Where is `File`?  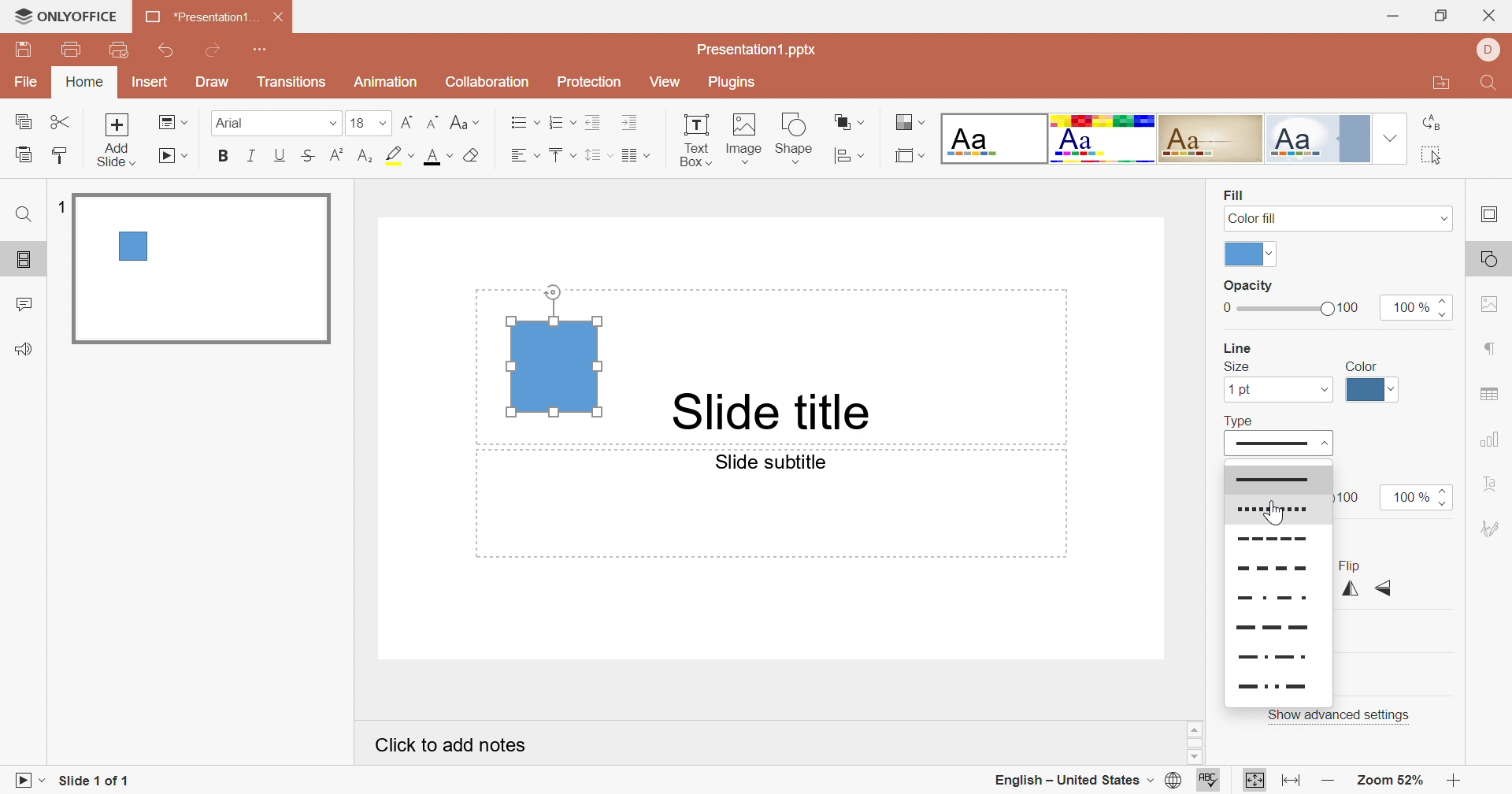
File is located at coordinates (26, 83).